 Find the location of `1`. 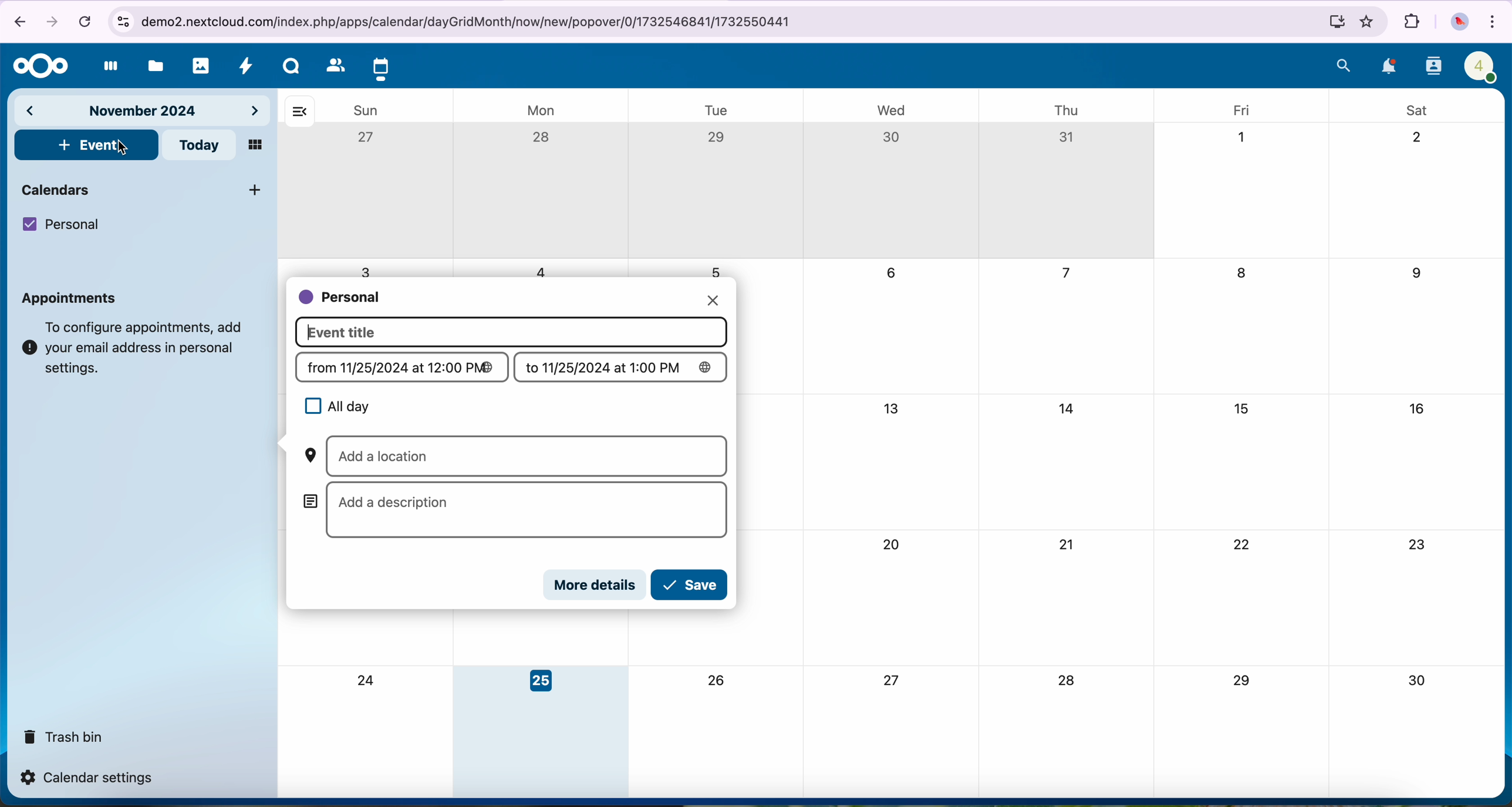

1 is located at coordinates (1241, 137).